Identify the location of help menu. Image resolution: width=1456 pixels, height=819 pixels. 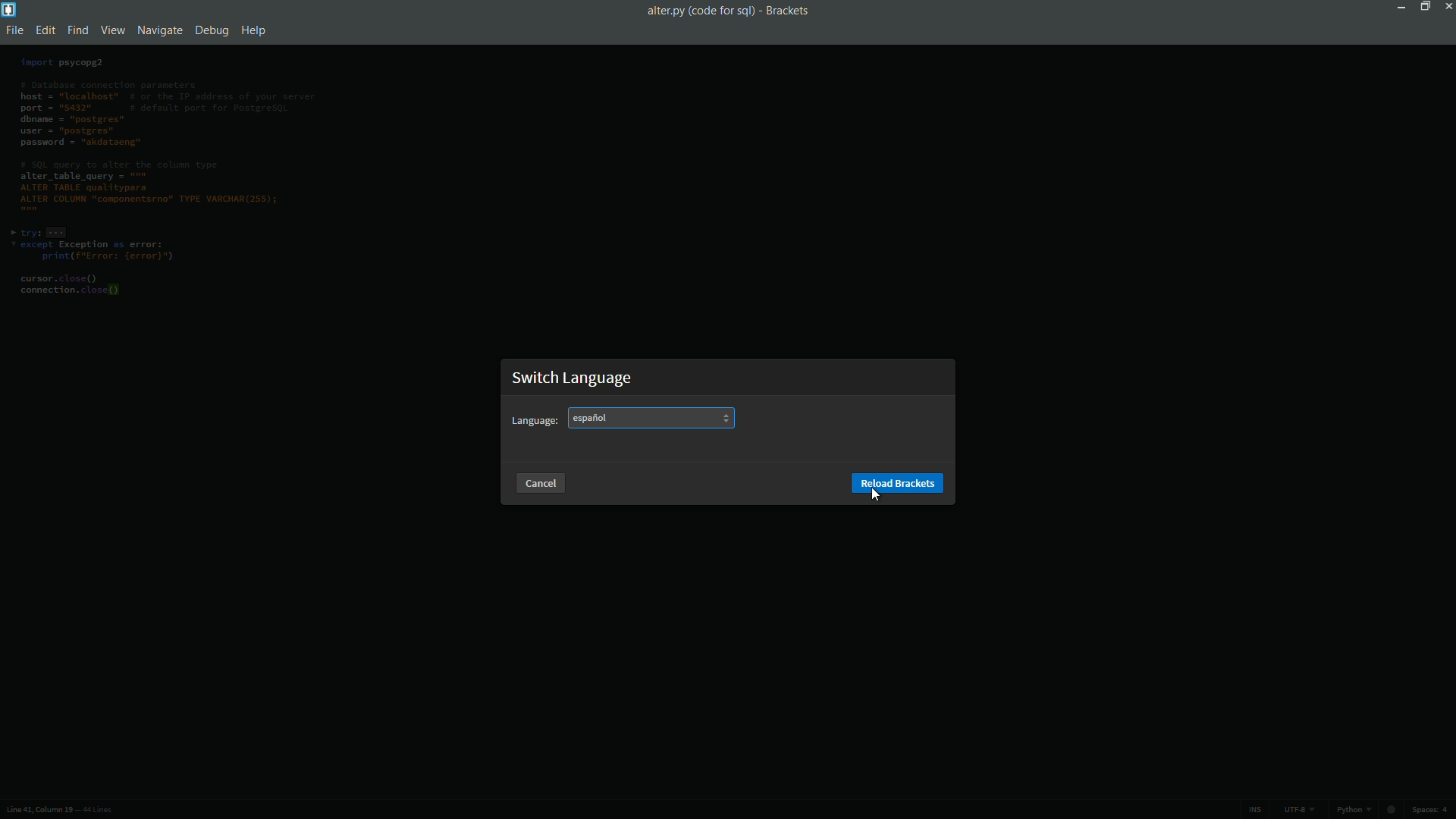
(253, 30).